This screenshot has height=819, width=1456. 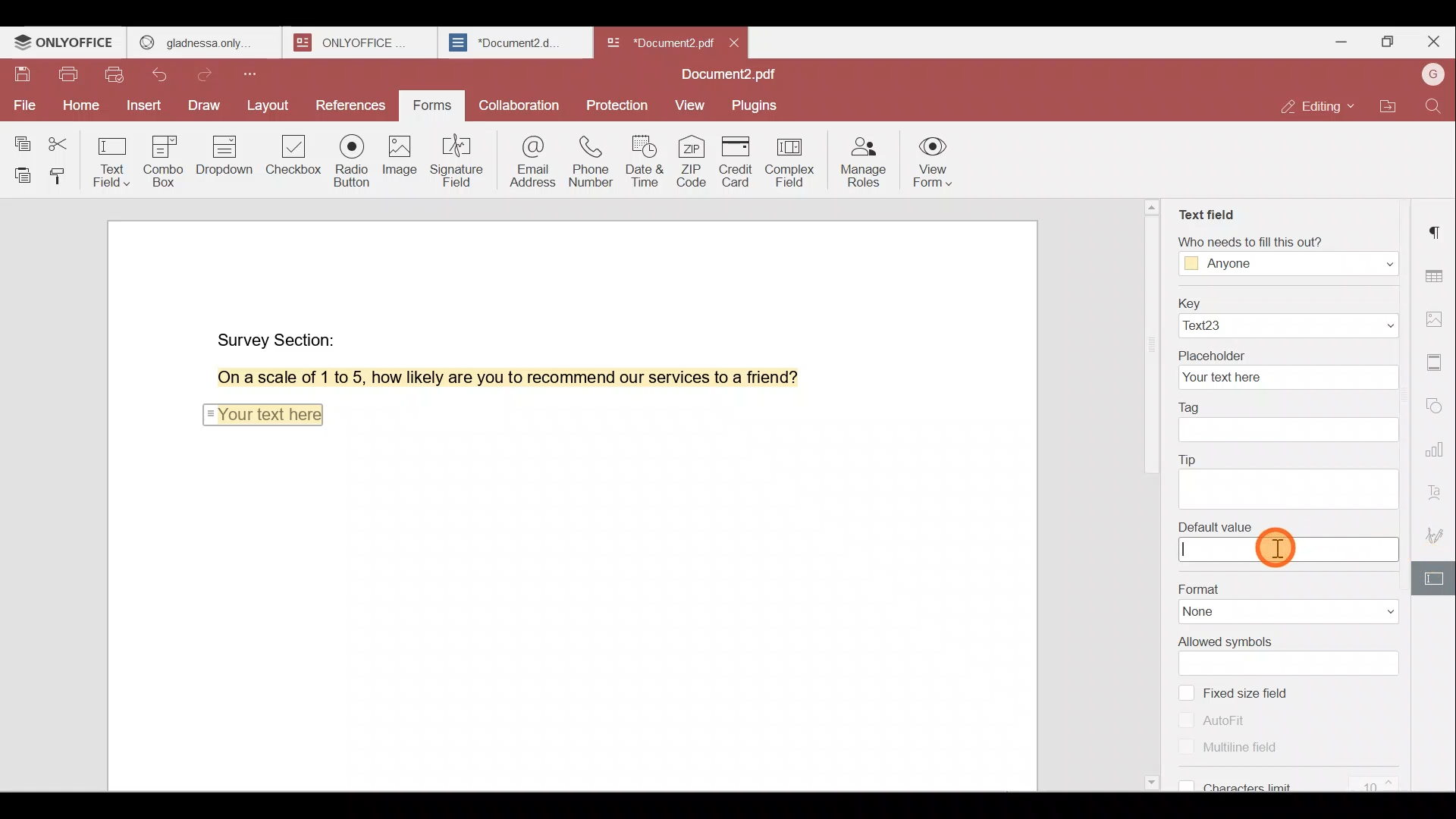 I want to click on Phone number, so click(x=588, y=156).